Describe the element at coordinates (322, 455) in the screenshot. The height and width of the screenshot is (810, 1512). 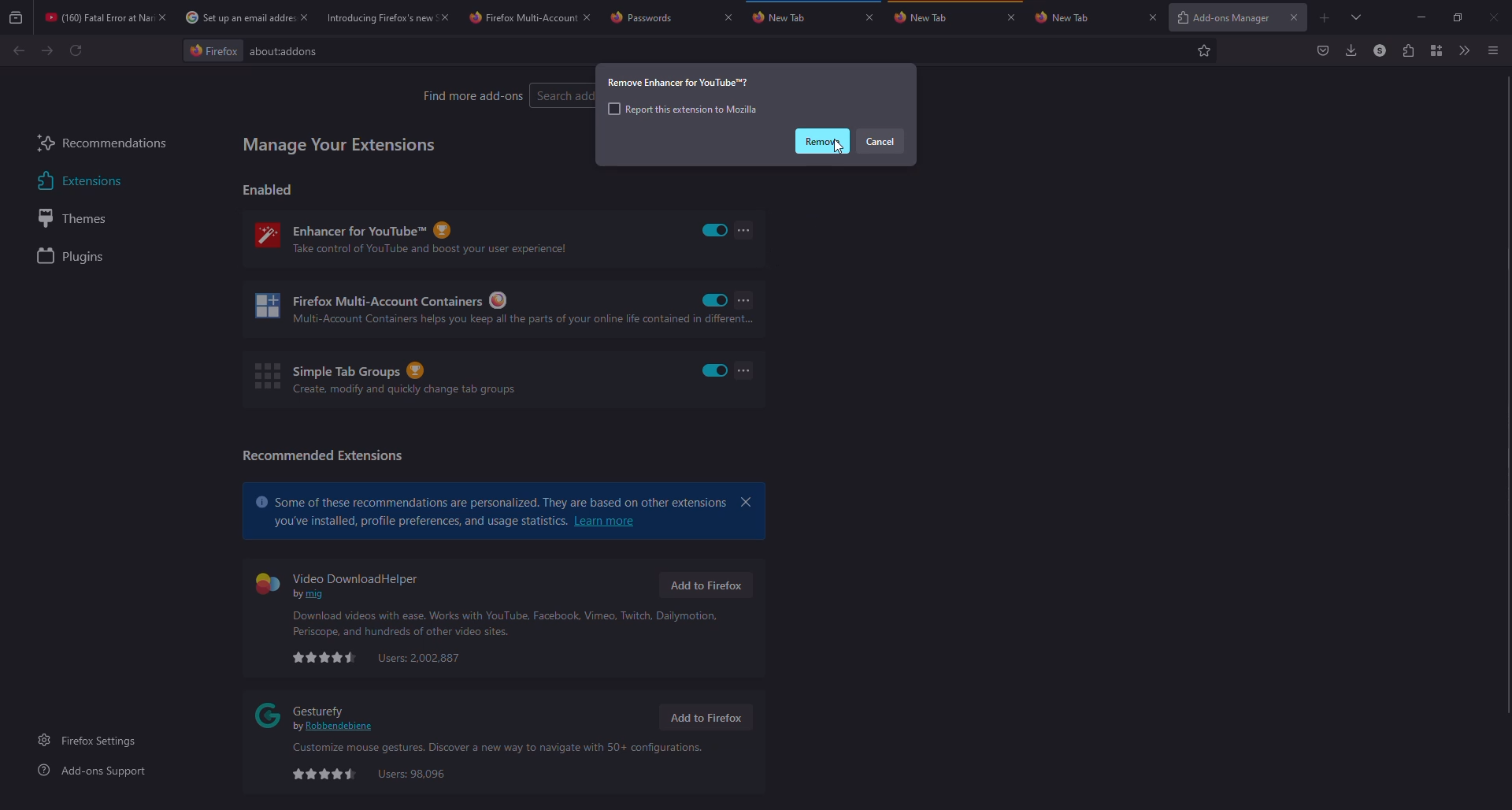
I see `recommended` at that location.